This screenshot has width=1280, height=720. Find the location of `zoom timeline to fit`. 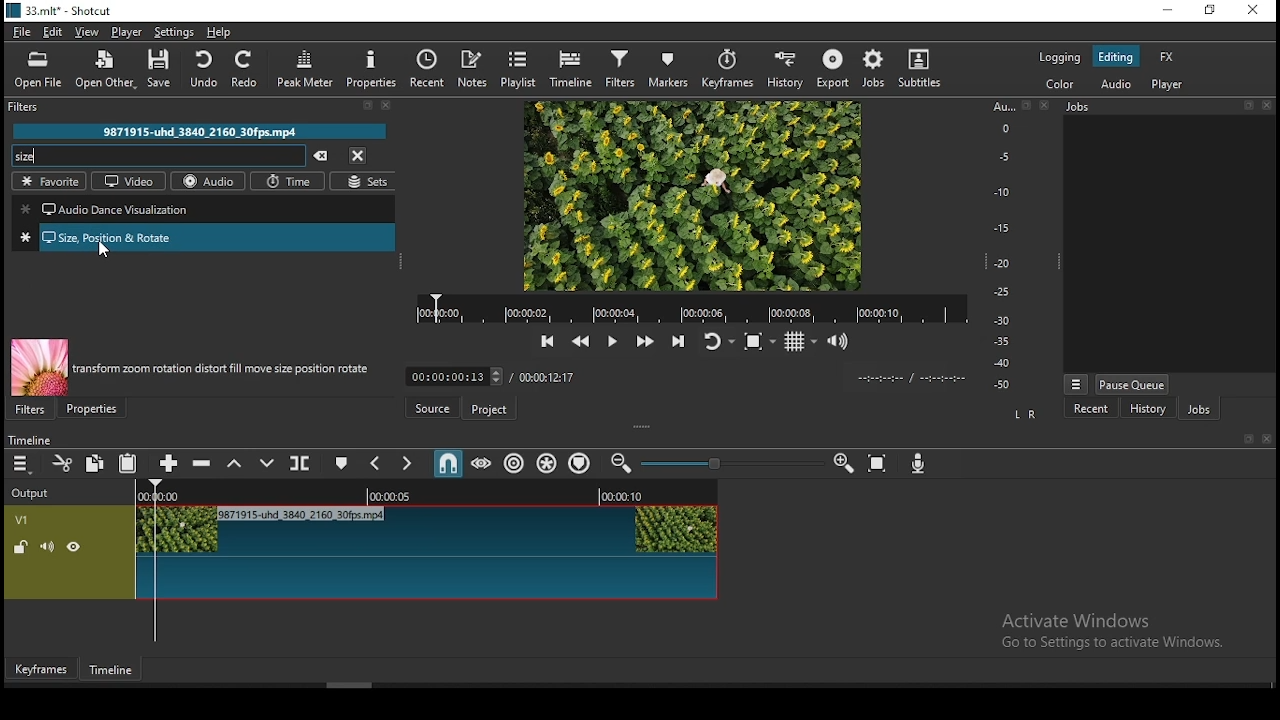

zoom timeline to fit is located at coordinates (879, 464).